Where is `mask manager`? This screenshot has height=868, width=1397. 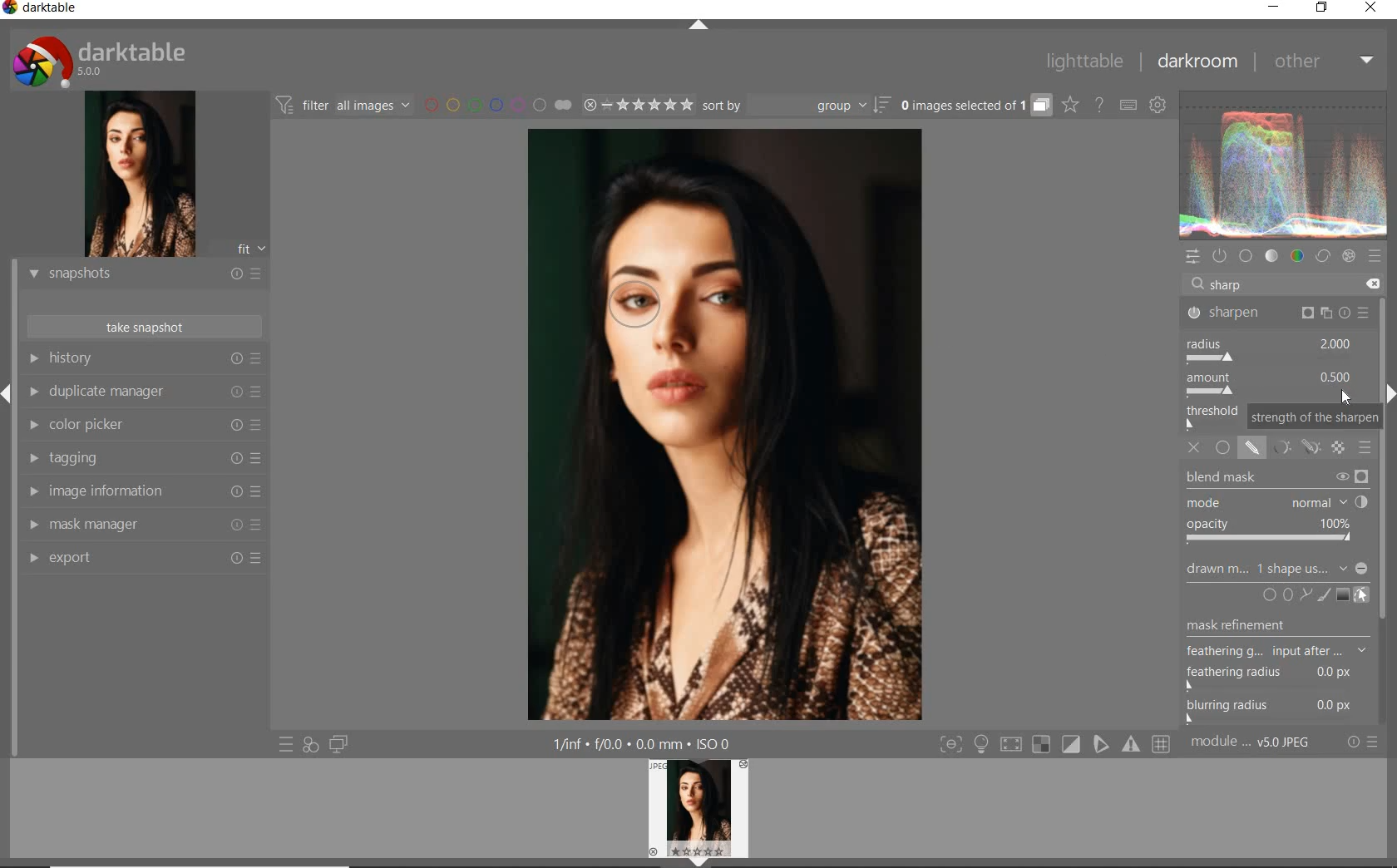 mask manager is located at coordinates (143, 525).